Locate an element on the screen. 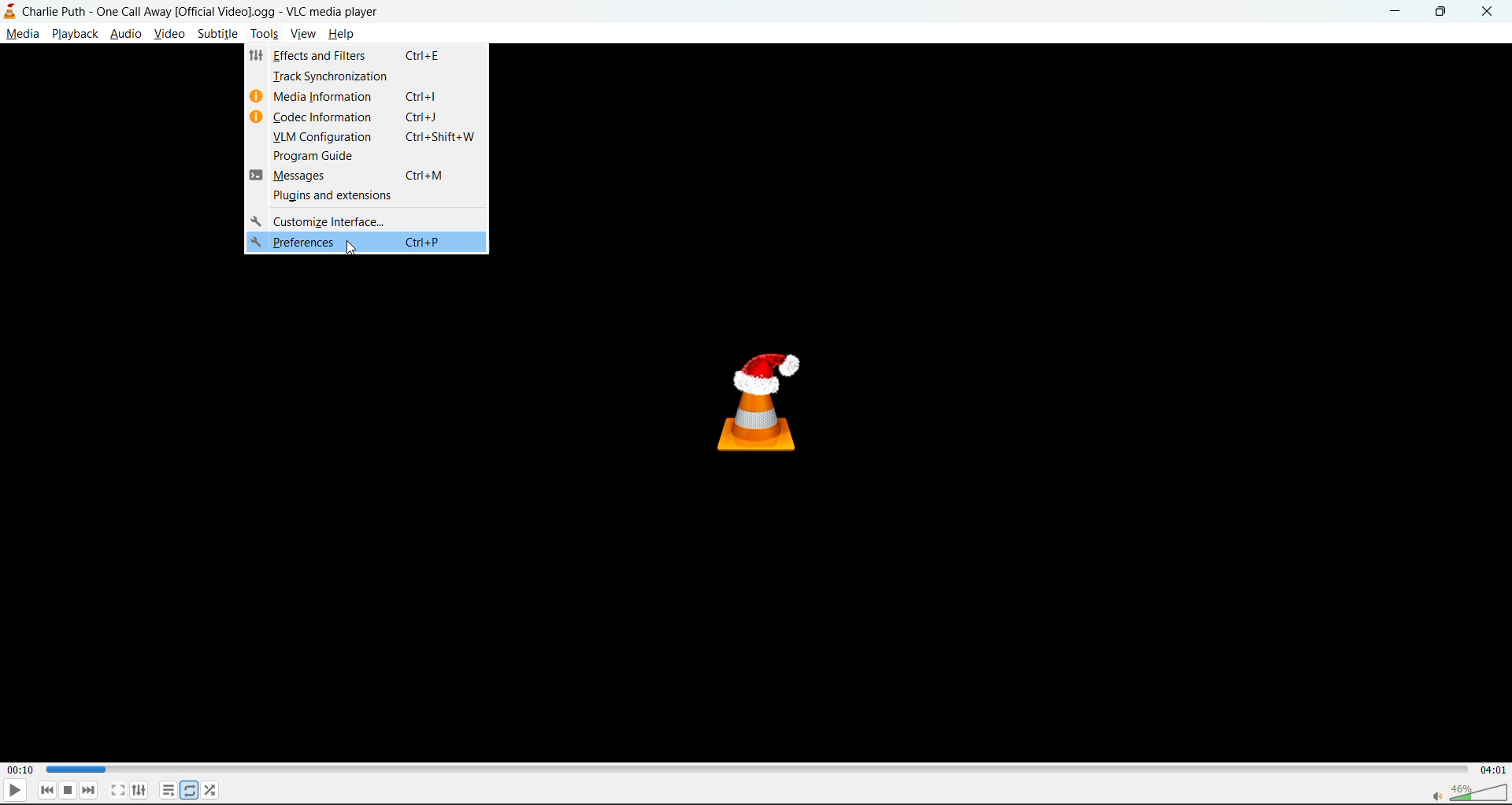 Image resolution: width=1512 pixels, height=805 pixels. fullscreen is located at coordinates (116, 791).